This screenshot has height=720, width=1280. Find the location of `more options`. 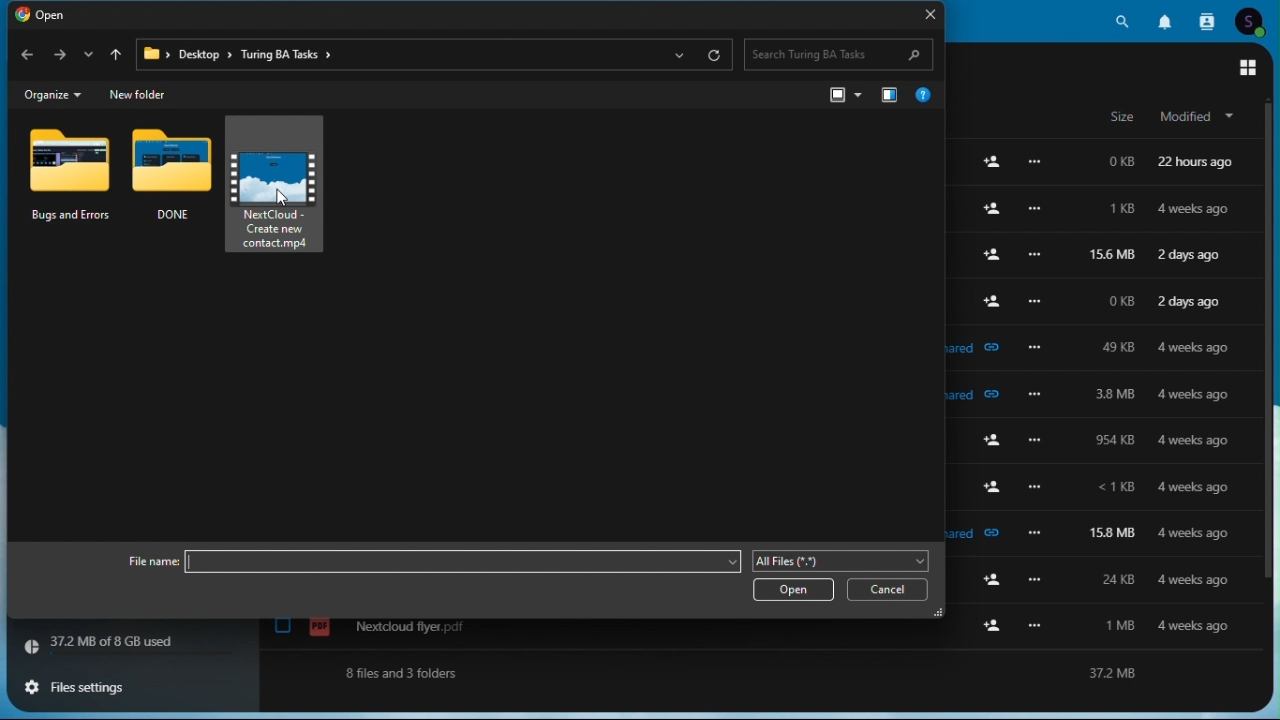

more options is located at coordinates (1034, 210).